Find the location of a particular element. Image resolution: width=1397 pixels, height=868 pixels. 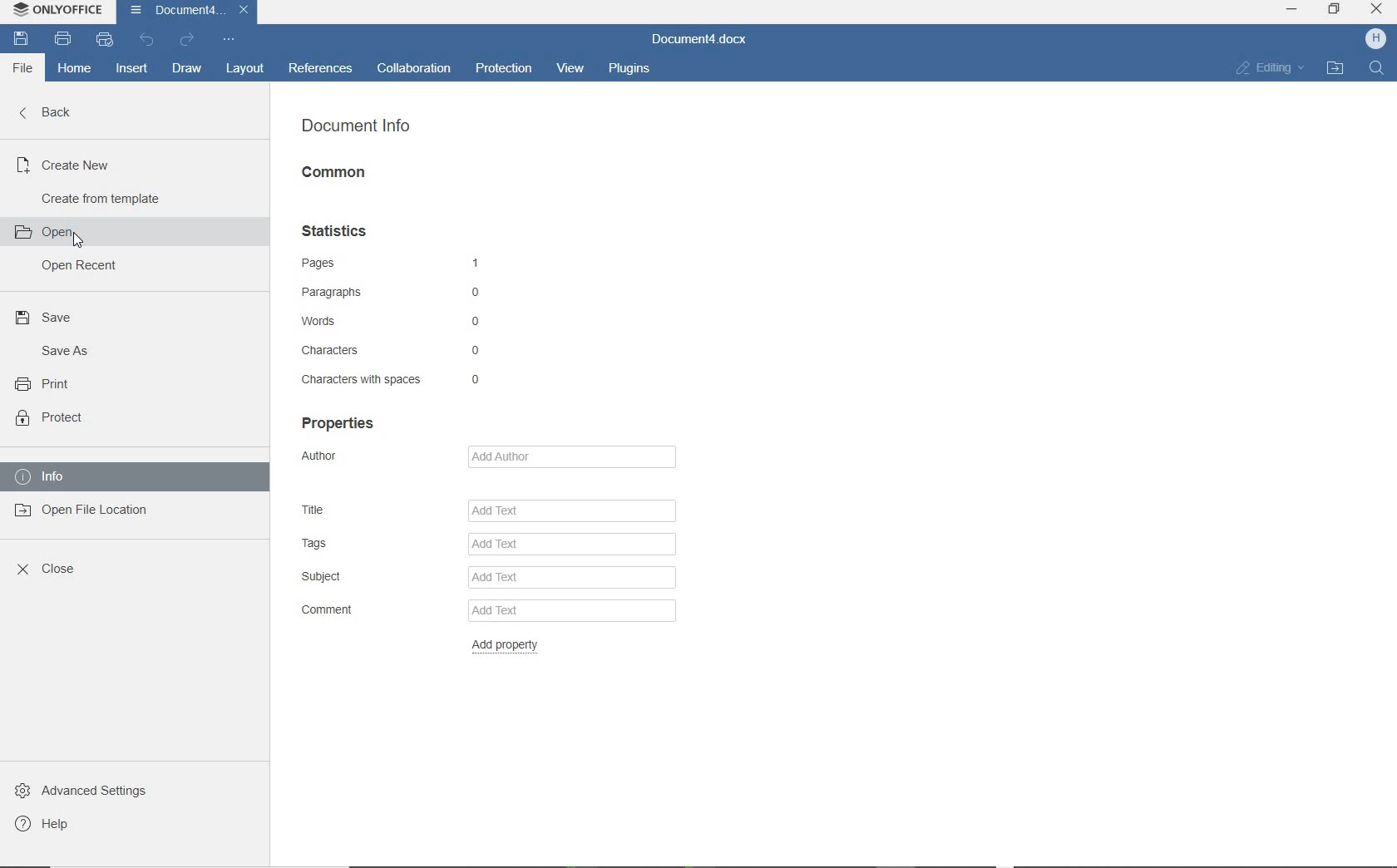

Add Text is located at coordinates (572, 581).